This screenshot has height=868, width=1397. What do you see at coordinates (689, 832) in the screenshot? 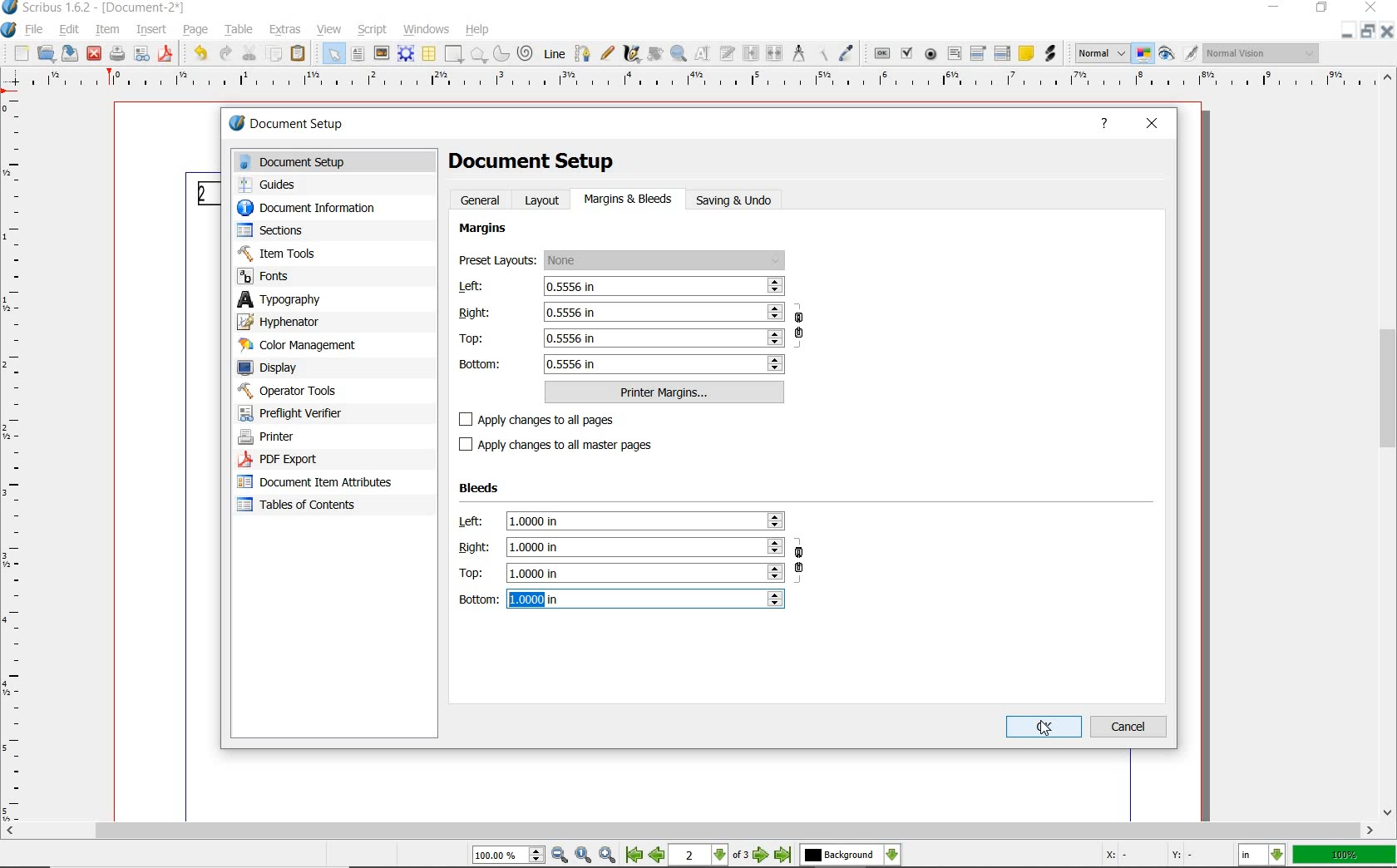
I see `scroll bar` at bounding box center [689, 832].